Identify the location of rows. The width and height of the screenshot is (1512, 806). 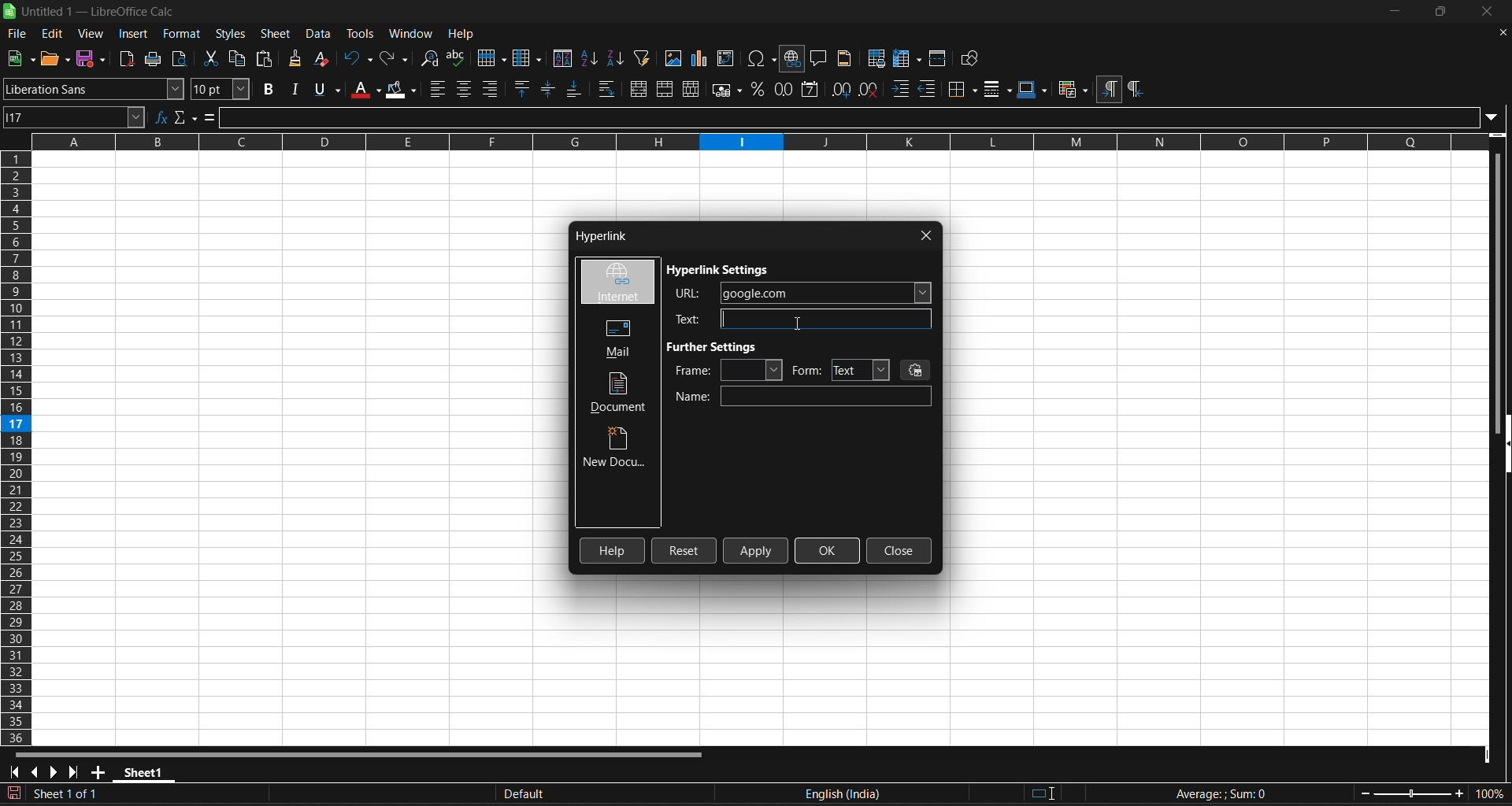
(749, 147).